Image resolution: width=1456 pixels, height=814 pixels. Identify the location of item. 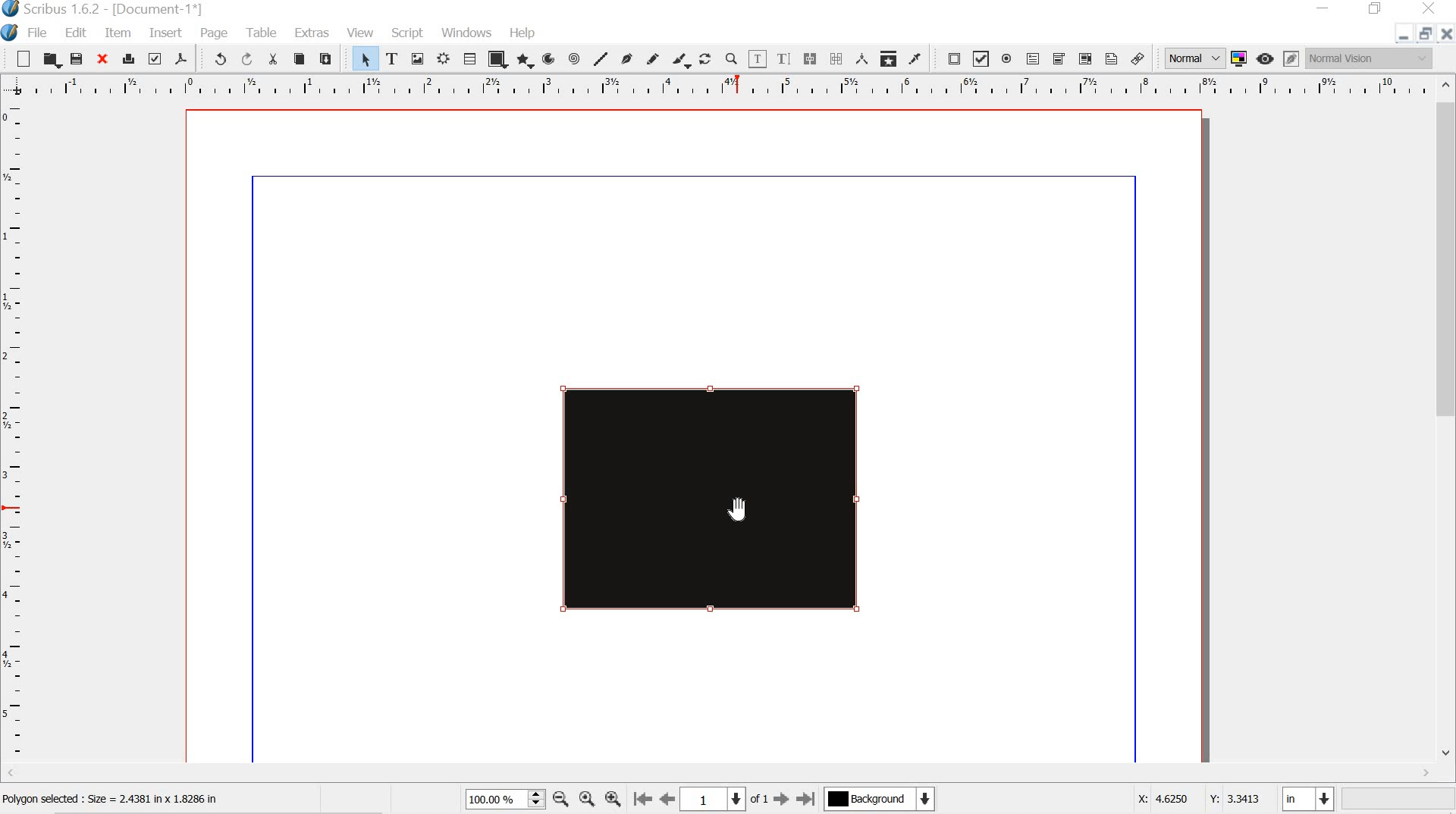
(118, 33).